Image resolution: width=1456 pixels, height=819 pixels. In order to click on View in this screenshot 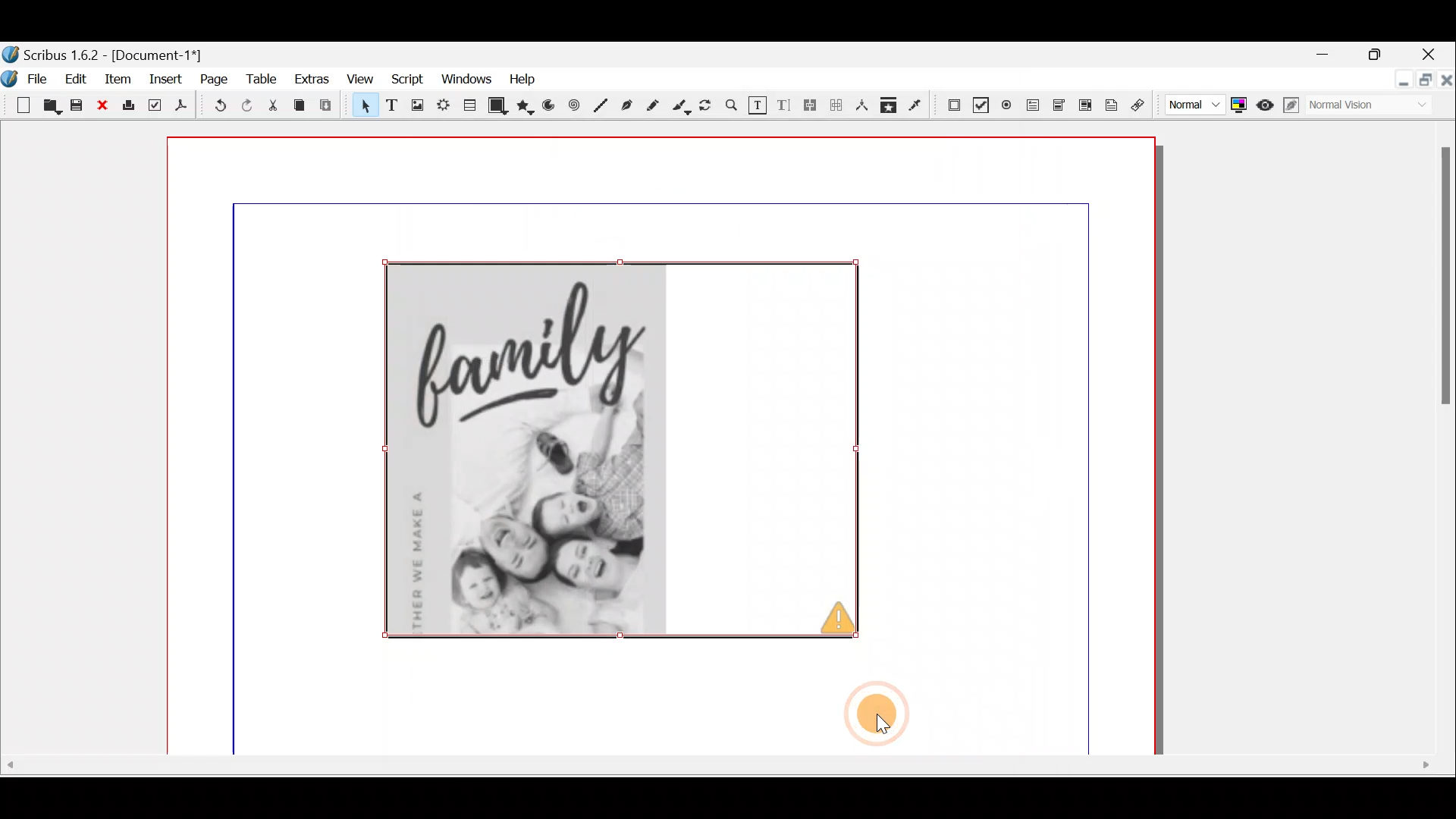, I will do `click(363, 81)`.